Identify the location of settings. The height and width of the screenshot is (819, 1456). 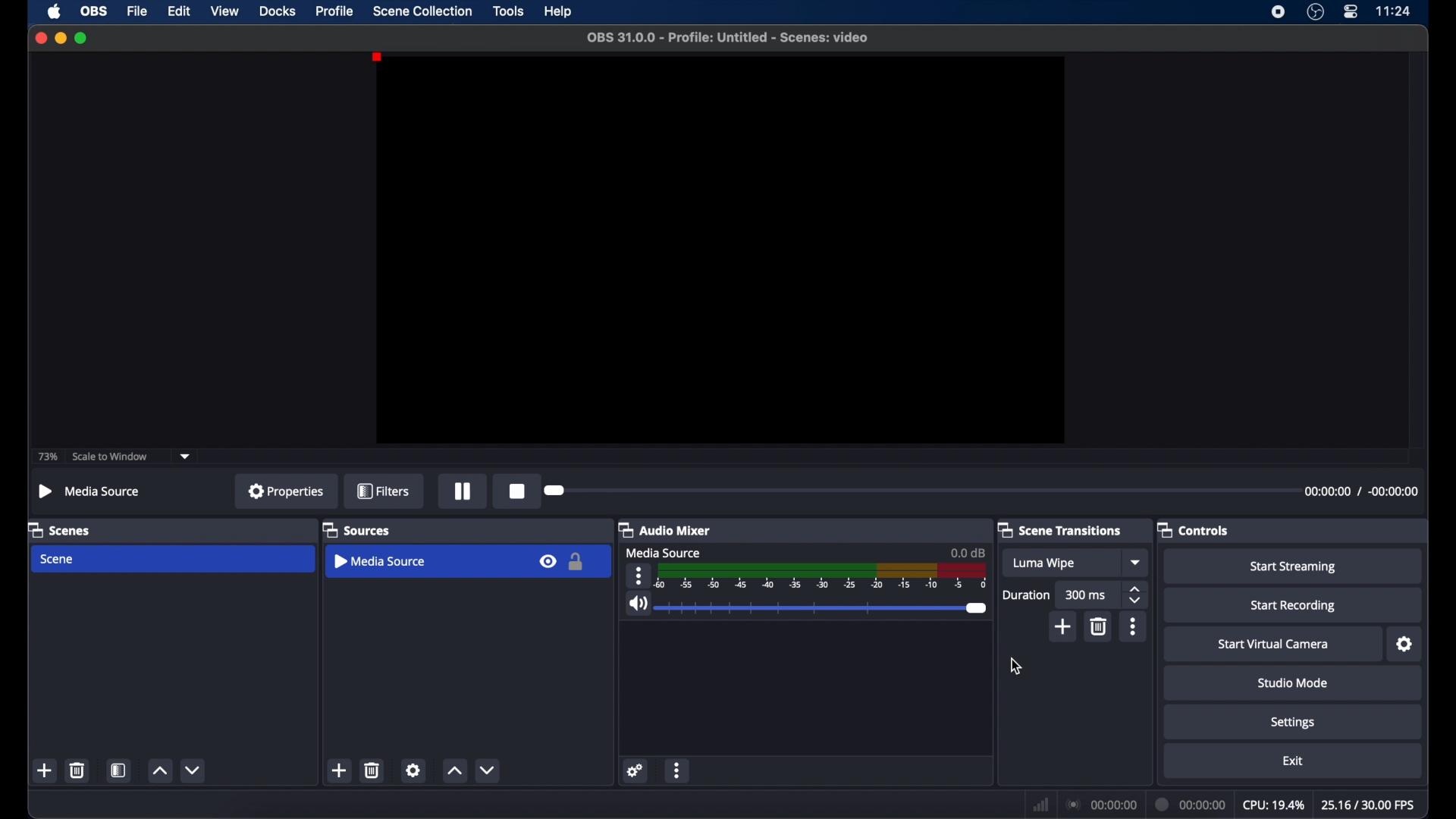
(413, 770).